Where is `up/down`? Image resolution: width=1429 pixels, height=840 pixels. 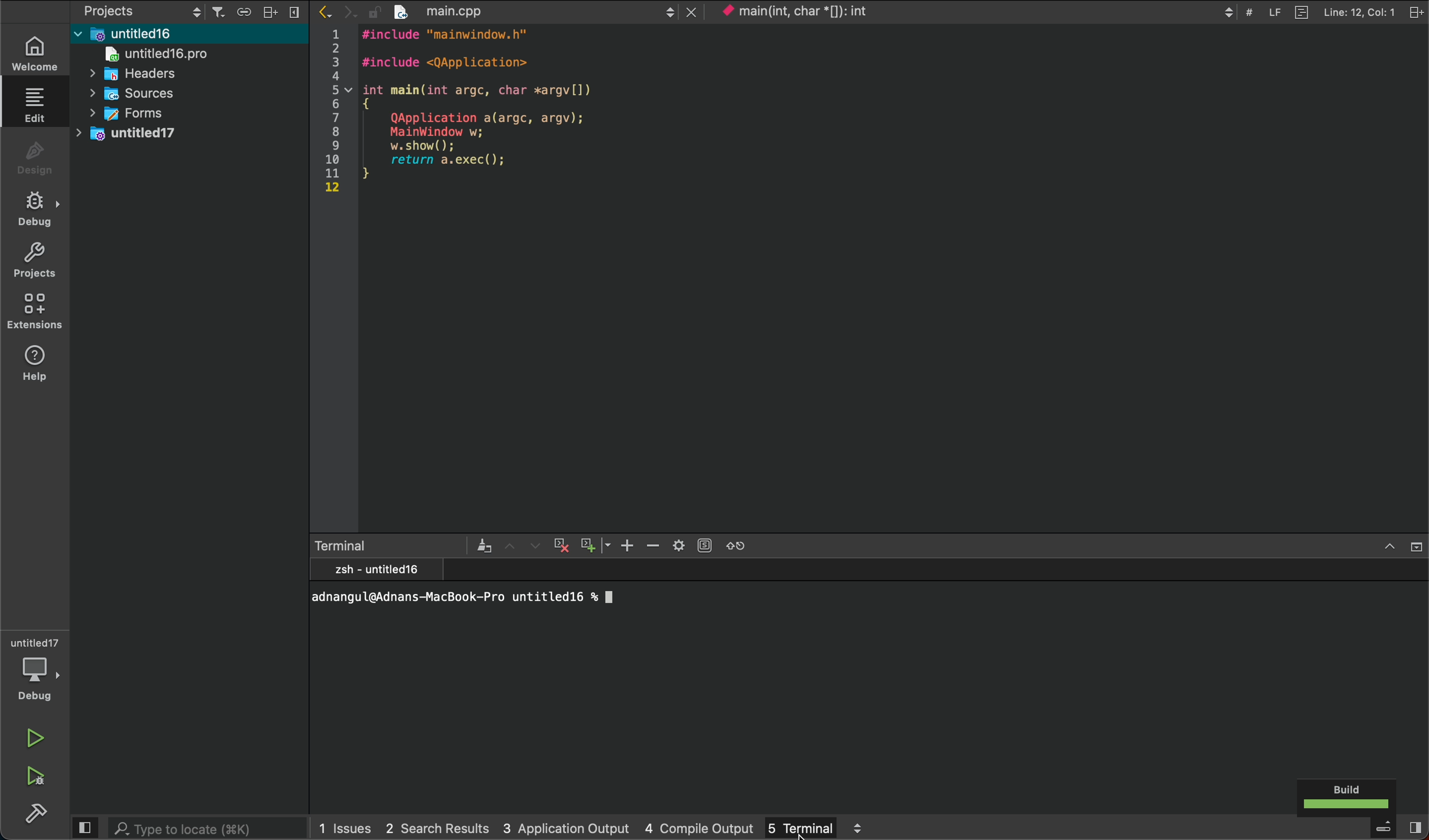
up/down is located at coordinates (195, 10).